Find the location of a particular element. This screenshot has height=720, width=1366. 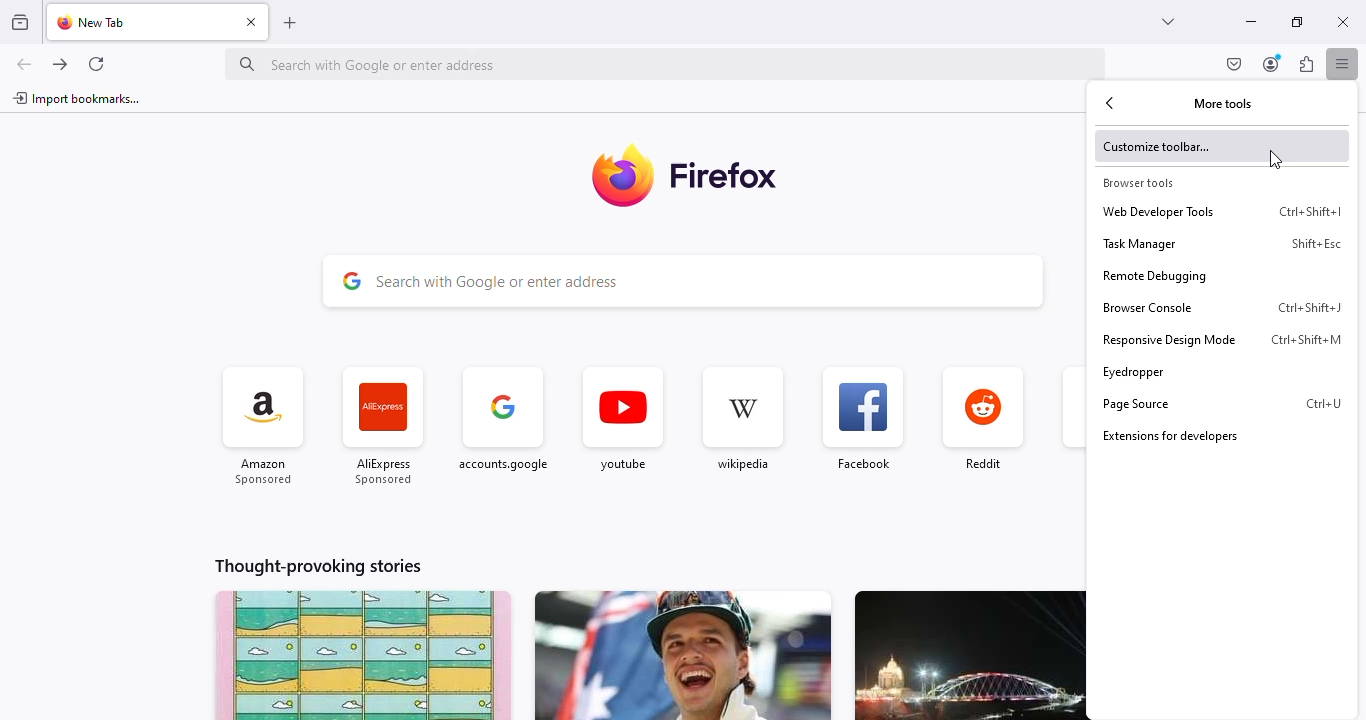

remote debugging is located at coordinates (1222, 276).